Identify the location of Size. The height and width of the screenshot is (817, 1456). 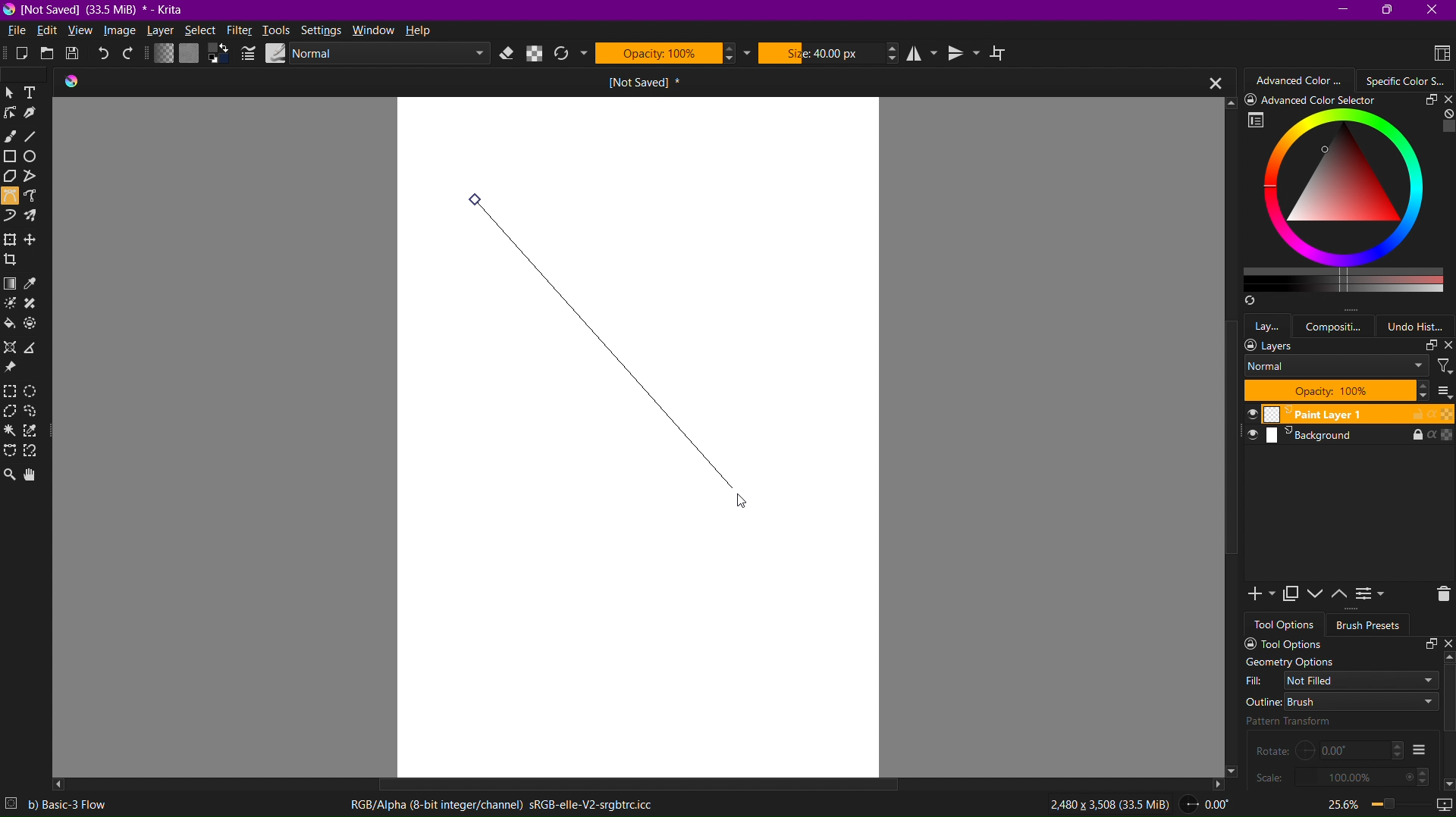
(829, 52).